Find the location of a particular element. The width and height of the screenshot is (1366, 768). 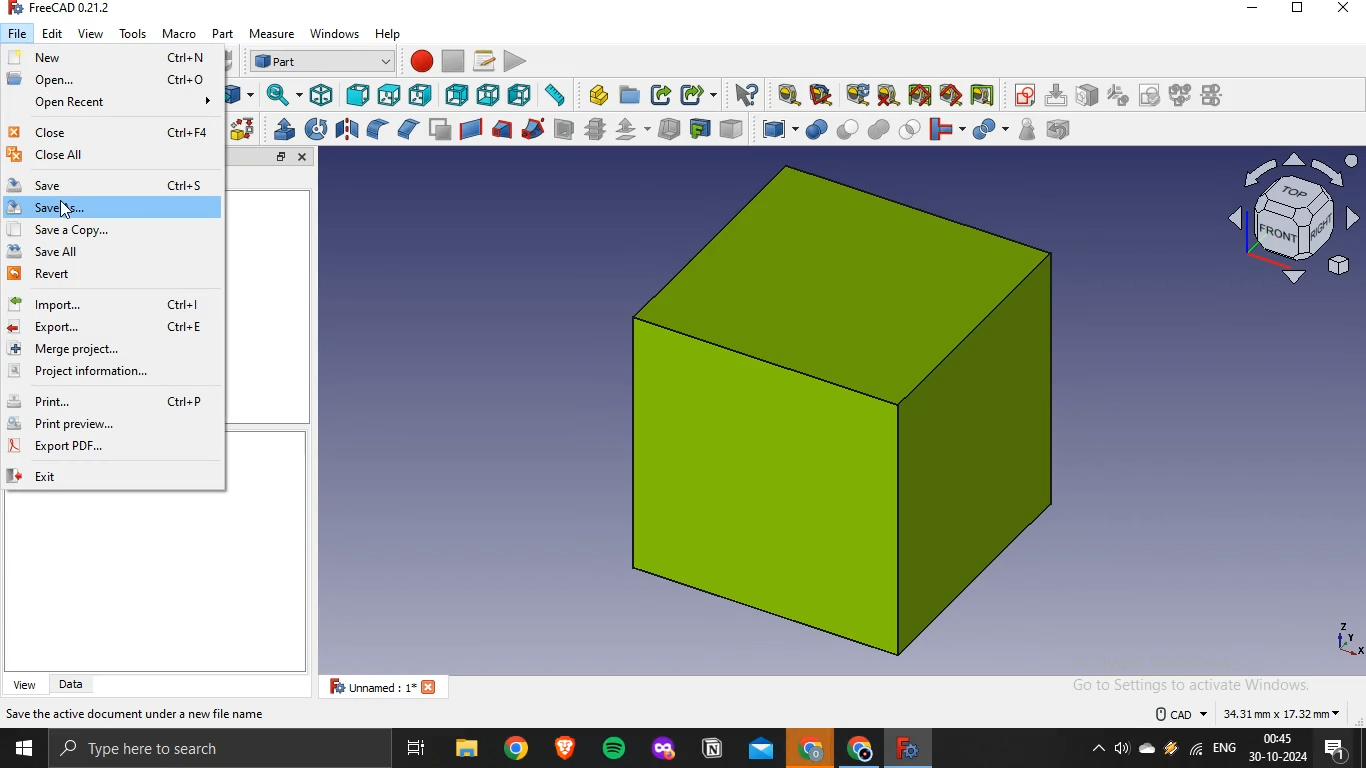

revert is located at coordinates (108, 275).